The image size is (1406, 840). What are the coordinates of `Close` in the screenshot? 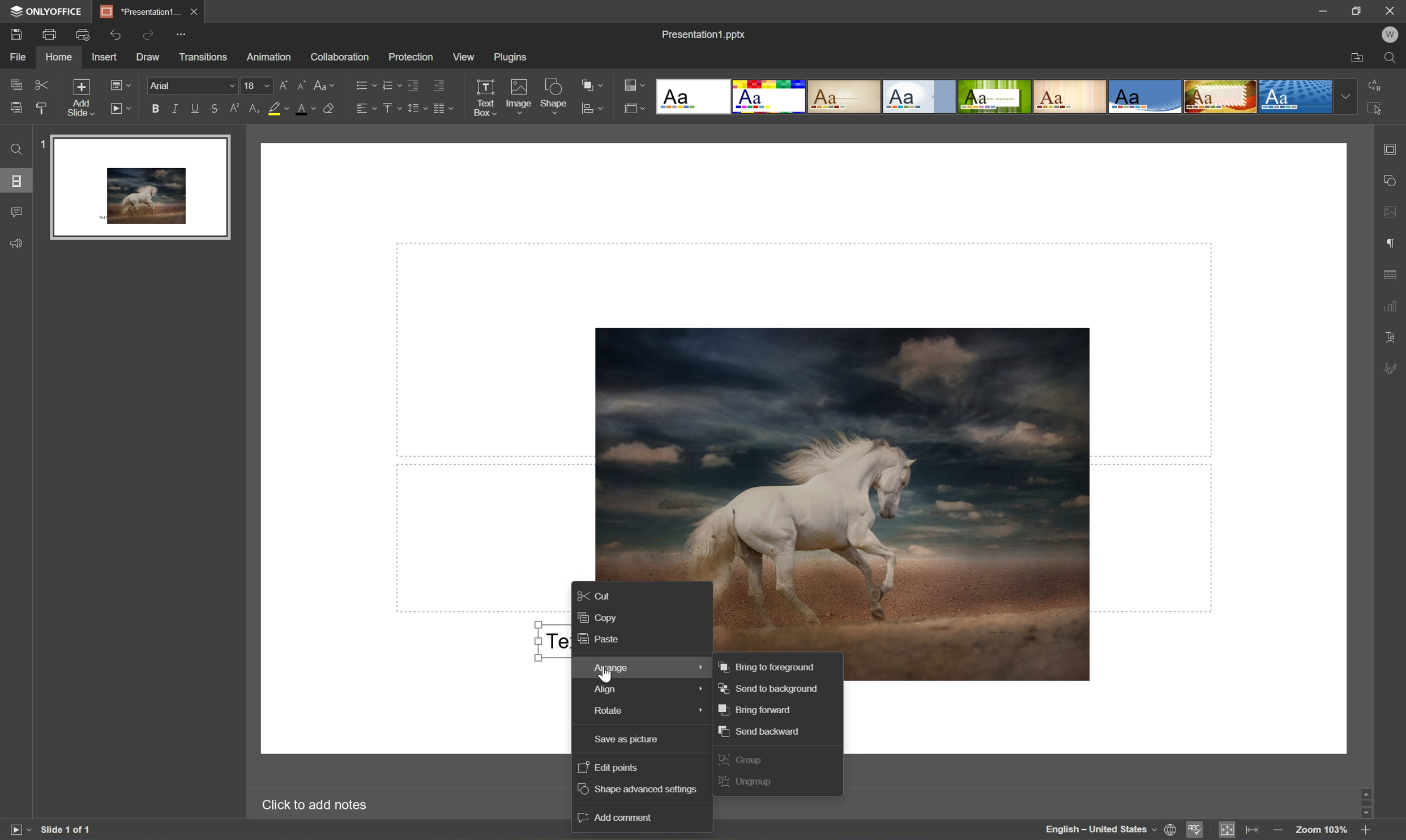 It's located at (1390, 12).